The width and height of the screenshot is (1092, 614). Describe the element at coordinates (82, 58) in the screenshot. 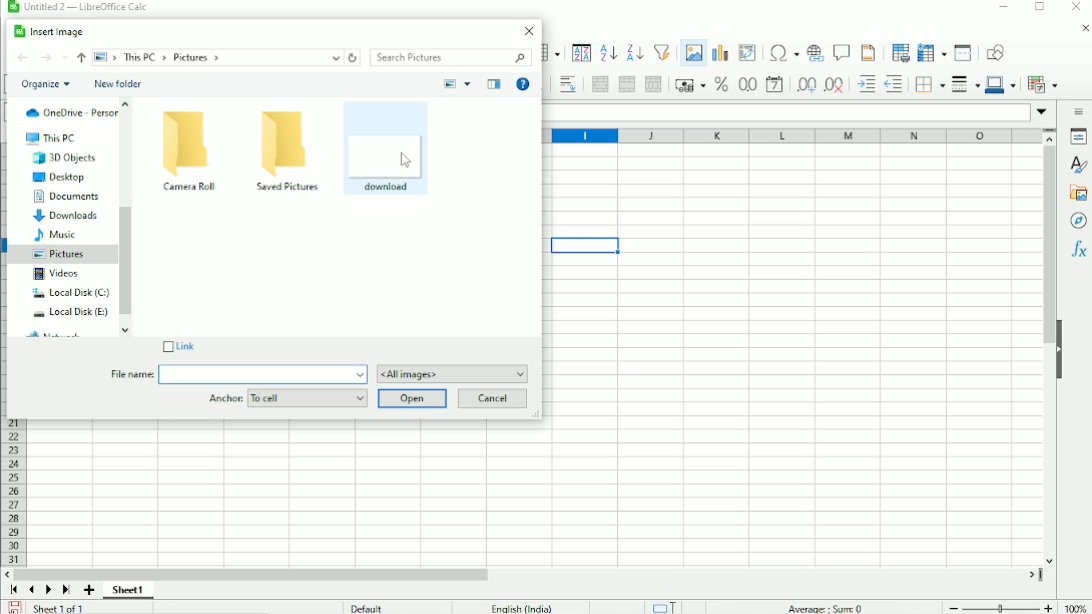

I see `Up to ''This PC''` at that location.